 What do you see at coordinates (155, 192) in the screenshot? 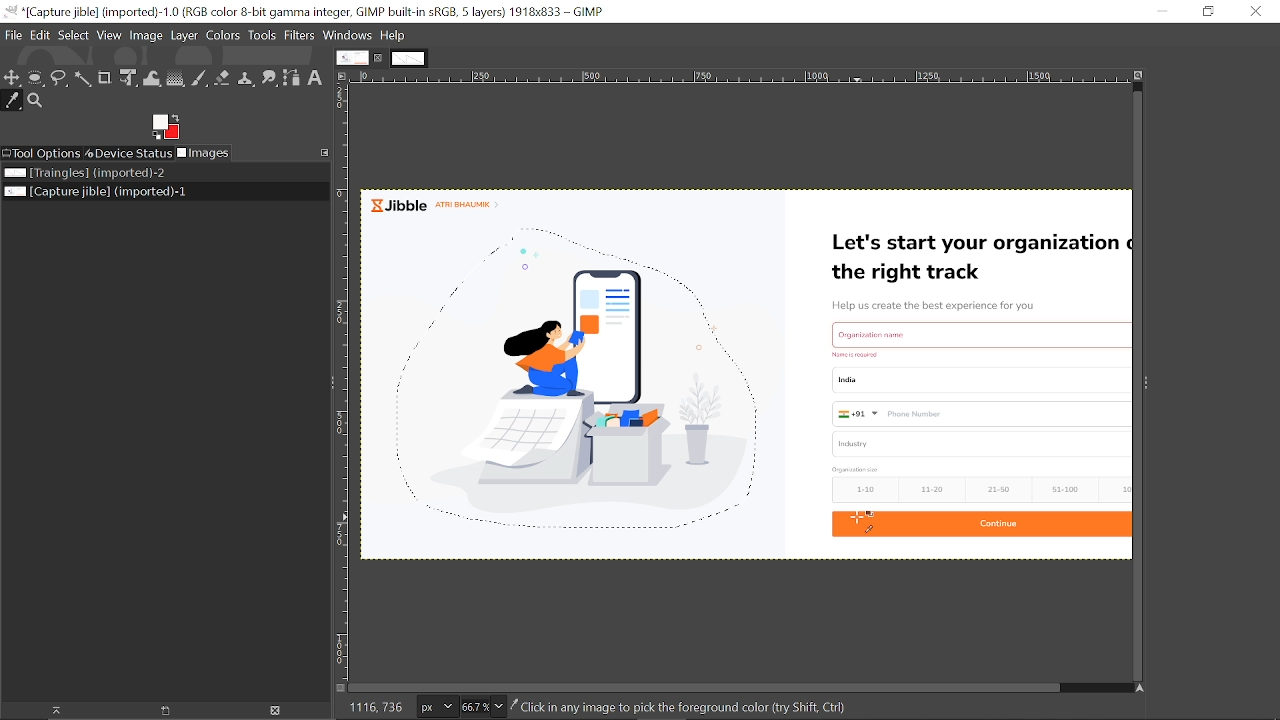
I see `Current image file` at bounding box center [155, 192].